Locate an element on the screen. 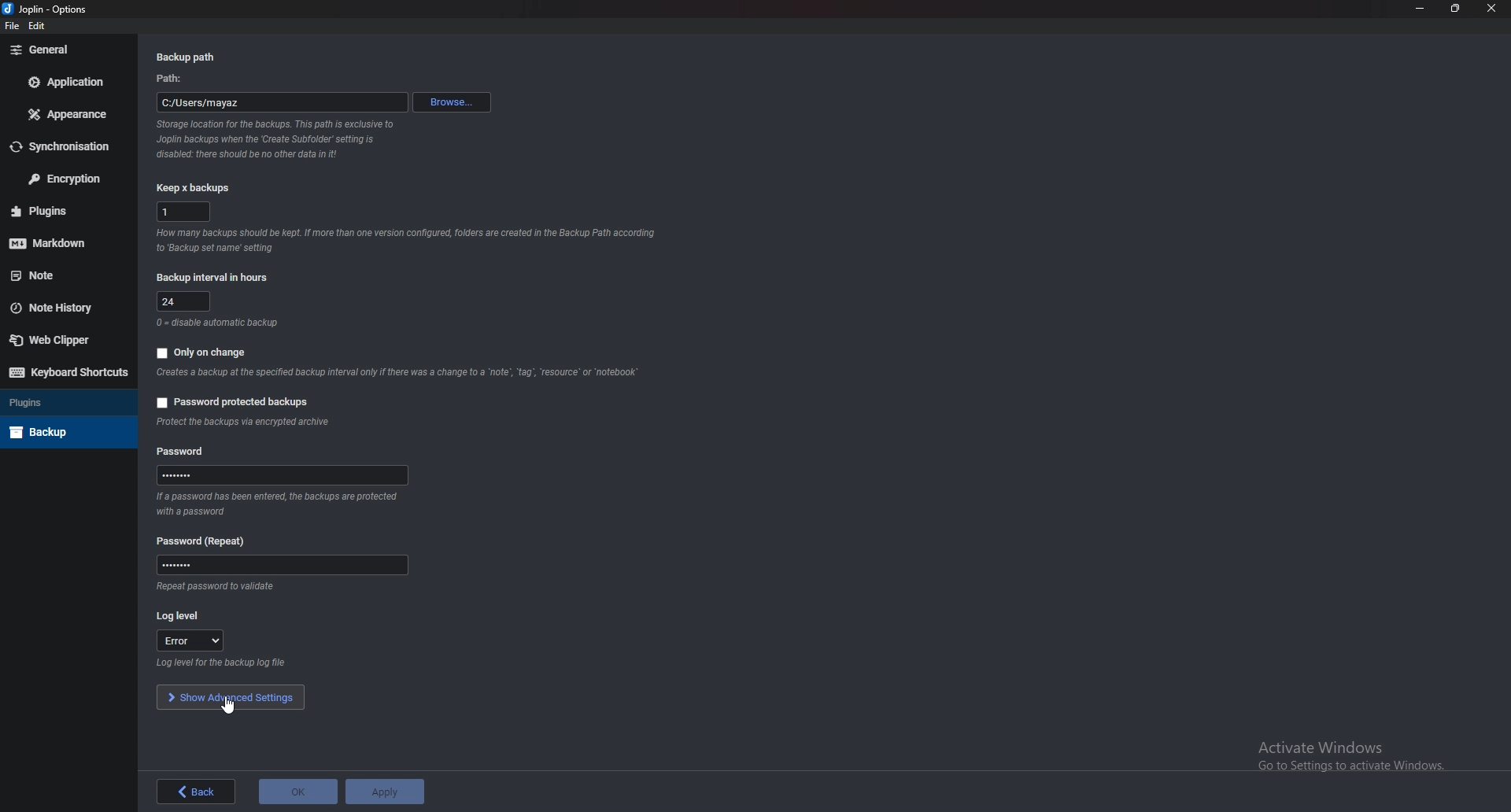 This screenshot has width=1511, height=812. Password is located at coordinates (284, 564).